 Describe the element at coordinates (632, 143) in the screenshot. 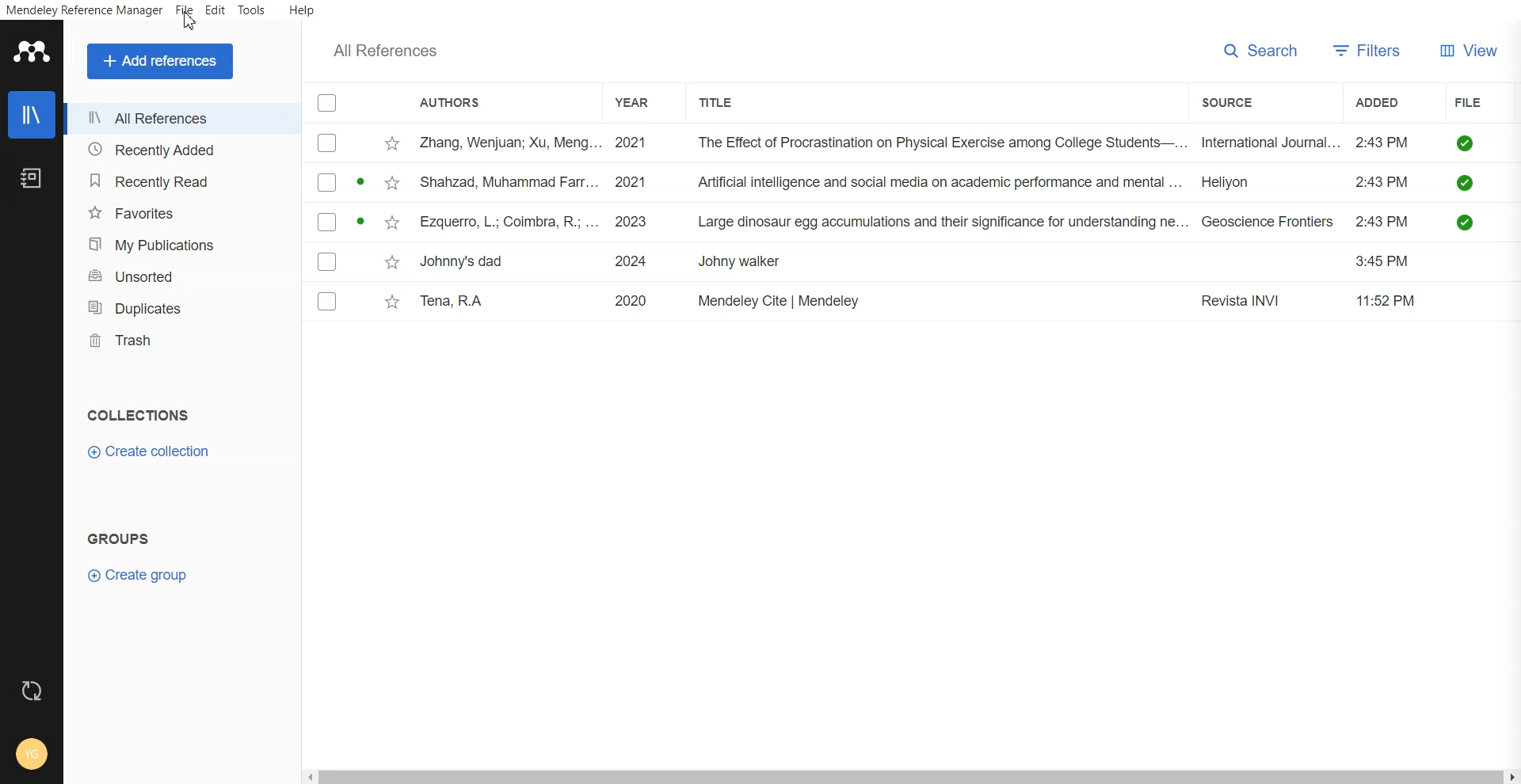

I see `2021` at that location.